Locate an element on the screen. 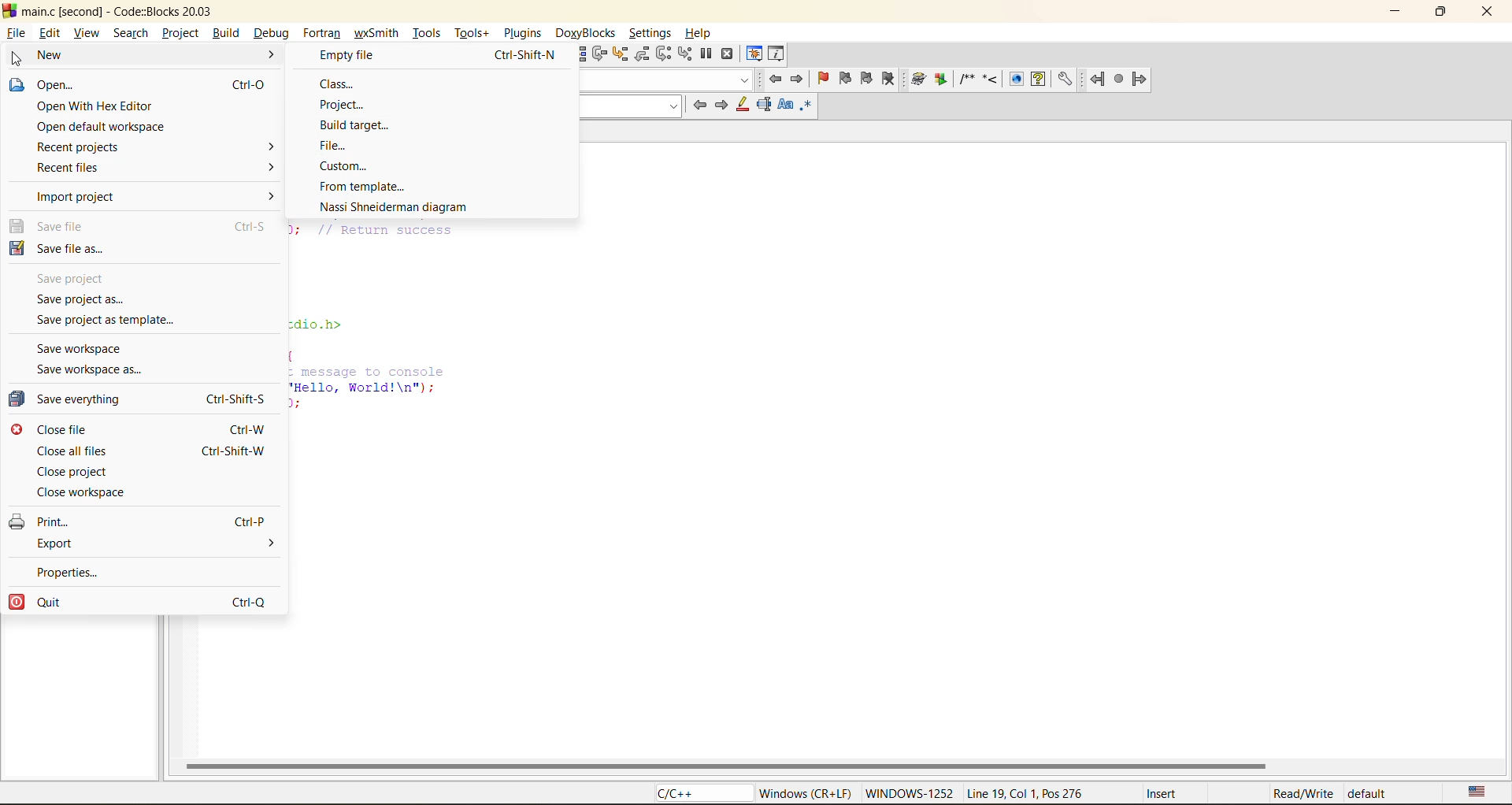 The image size is (1512, 805). step into is located at coordinates (620, 54).